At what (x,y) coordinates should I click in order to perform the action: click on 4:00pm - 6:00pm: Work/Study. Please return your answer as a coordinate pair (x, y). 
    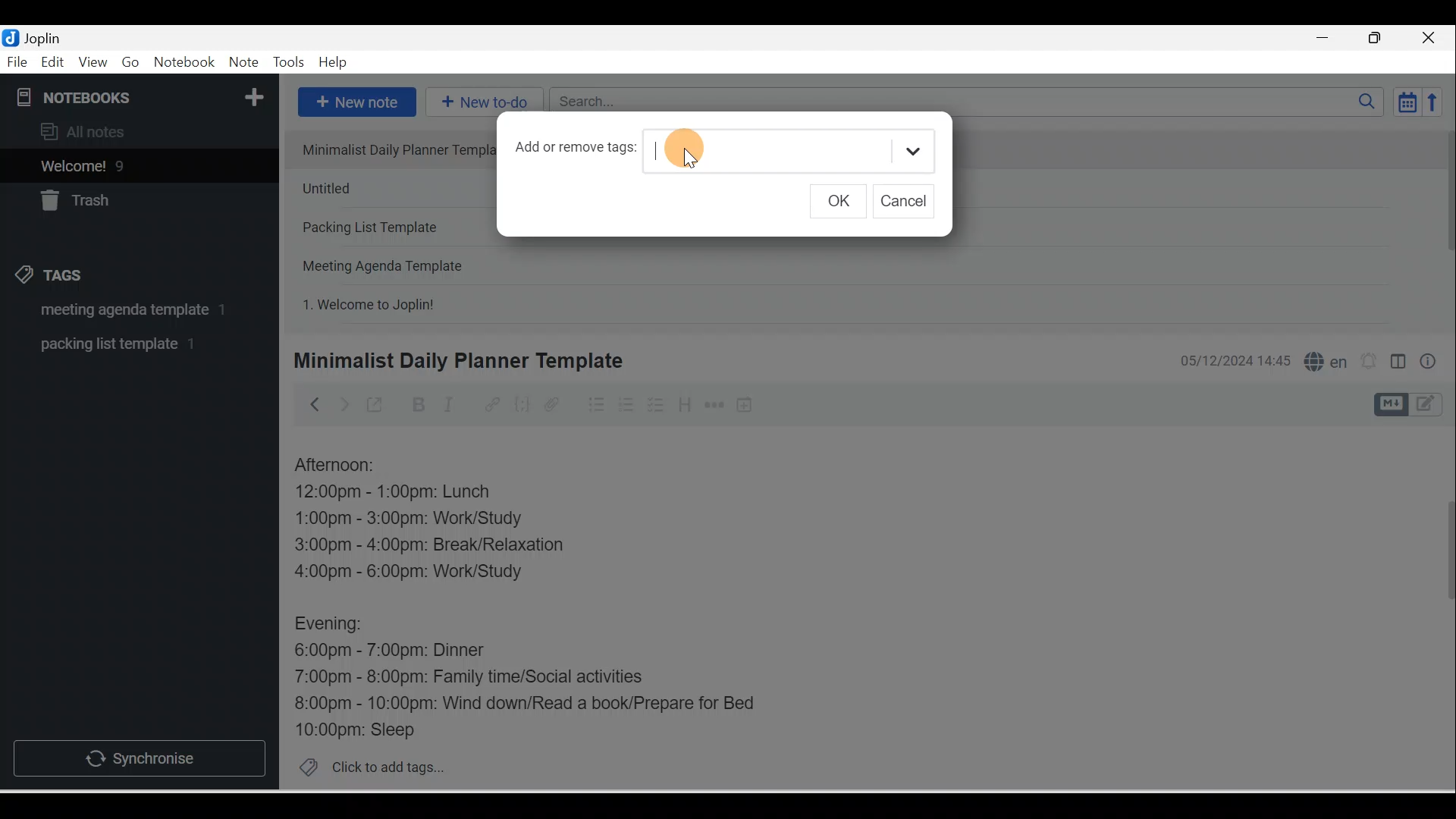
    Looking at the image, I should click on (415, 572).